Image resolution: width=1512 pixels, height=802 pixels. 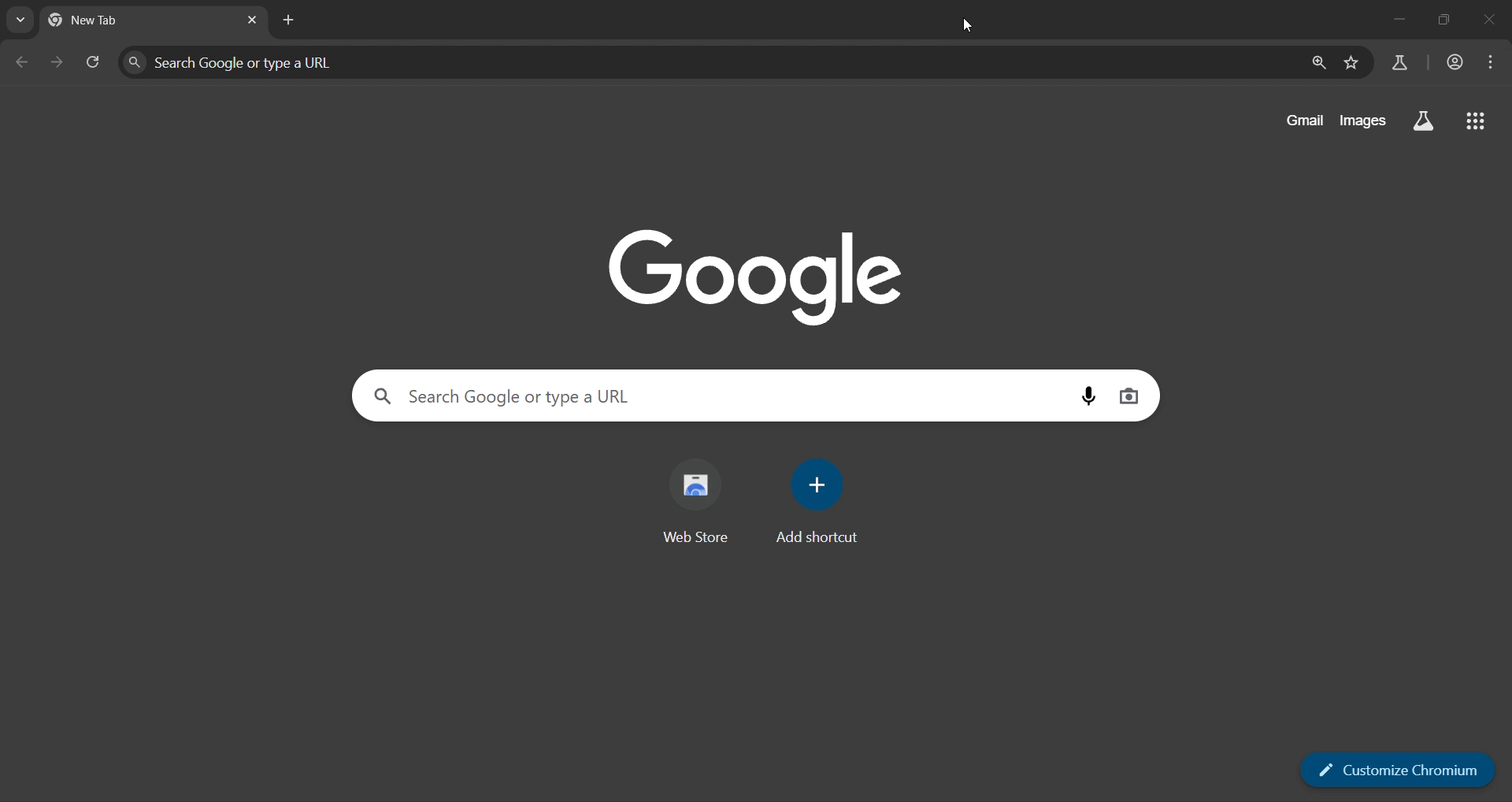 What do you see at coordinates (1399, 62) in the screenshot?
I see `search labs` at bounding box center [1399, 62].